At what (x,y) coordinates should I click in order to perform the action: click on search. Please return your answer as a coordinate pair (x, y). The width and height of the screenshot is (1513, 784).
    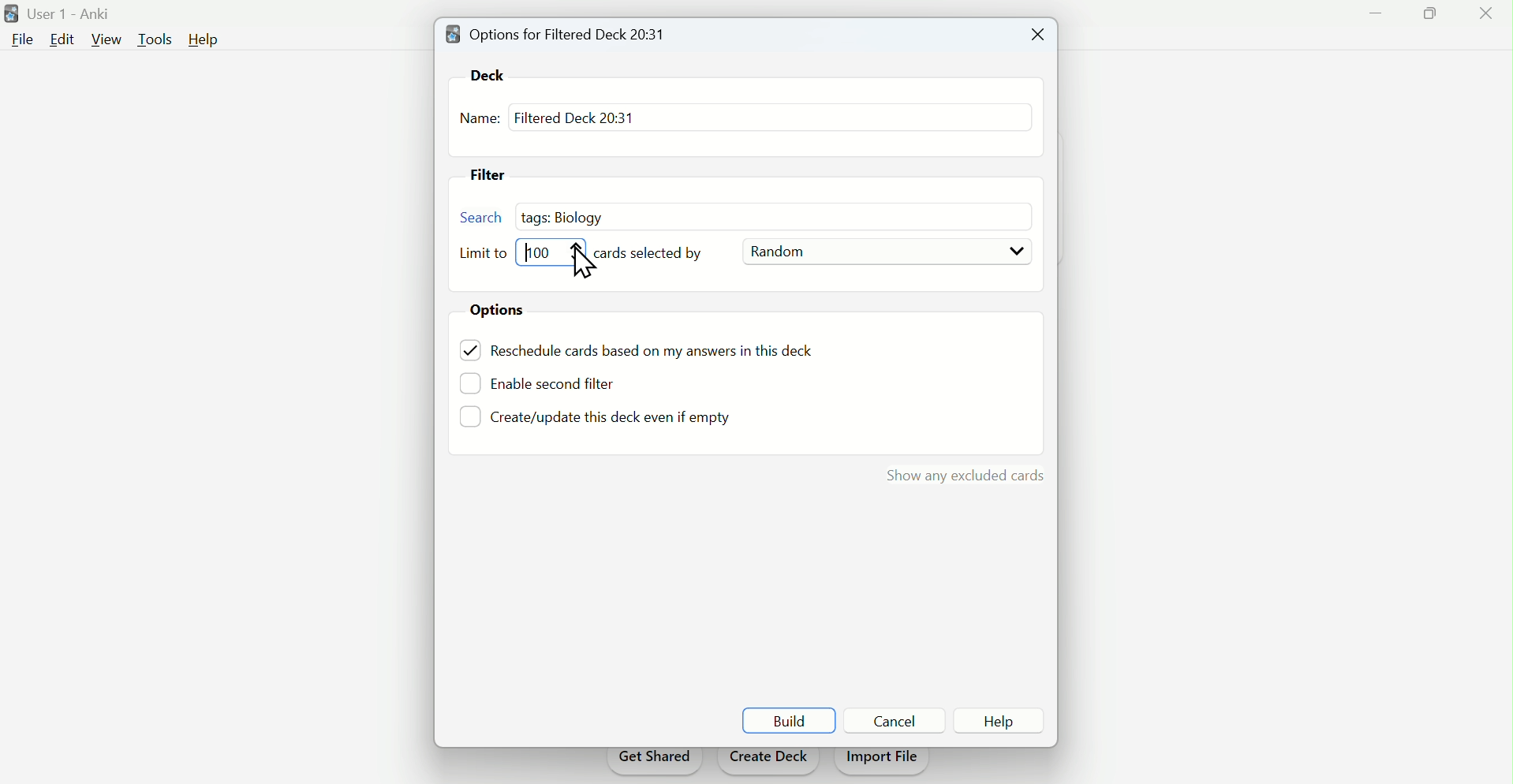
    Looking at the image, I should click on (482, 217).